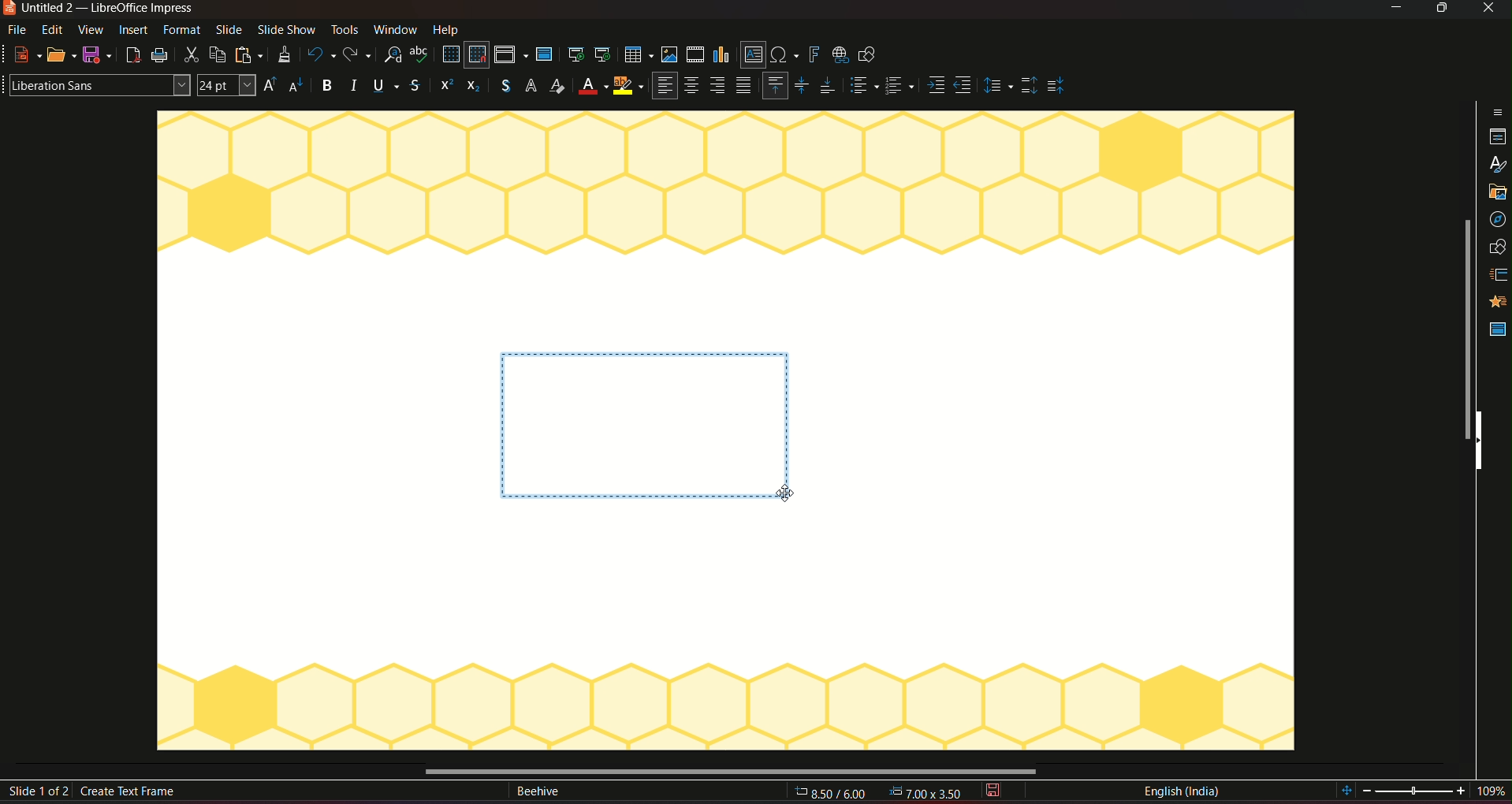 The width and height of the screenshot is (1512, 804). What do you see at coordinates (1498, 189) in the screenshot?
I see `navigation` at bounding box center [1498, 189].